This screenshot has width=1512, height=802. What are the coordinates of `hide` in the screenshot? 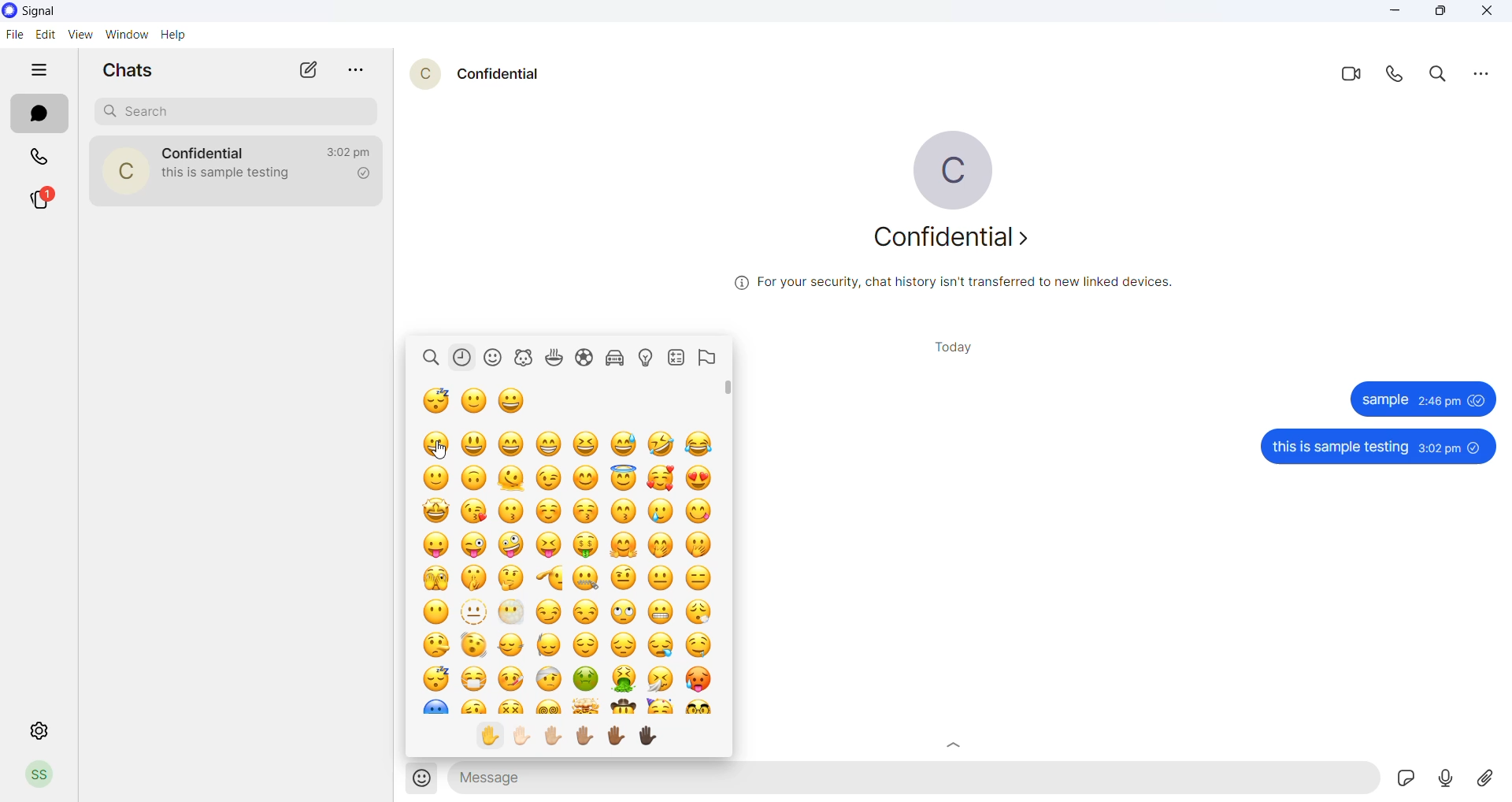 It's located at (37, 71).